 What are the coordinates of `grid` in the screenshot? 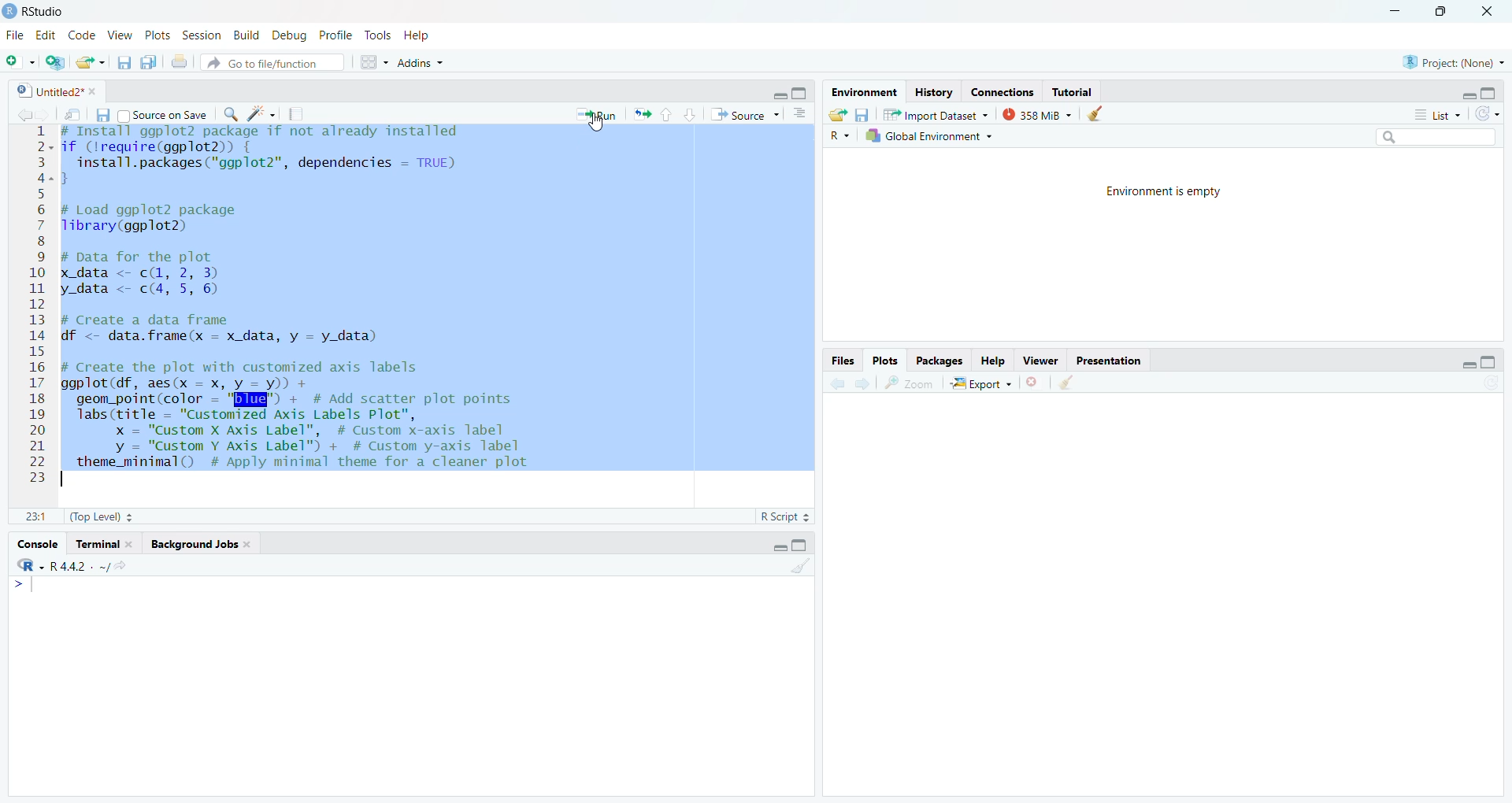 It's located at (373, 65).